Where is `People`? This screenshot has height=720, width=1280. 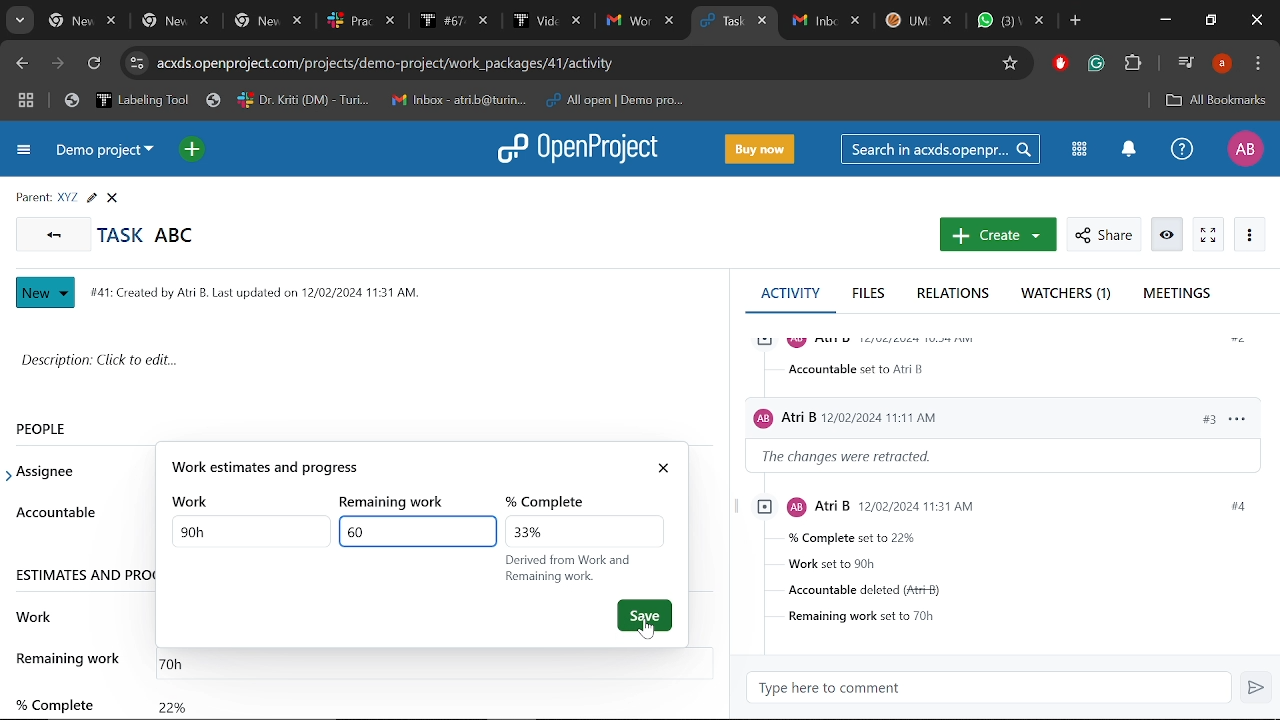
People is located at coordinates (63, 428).